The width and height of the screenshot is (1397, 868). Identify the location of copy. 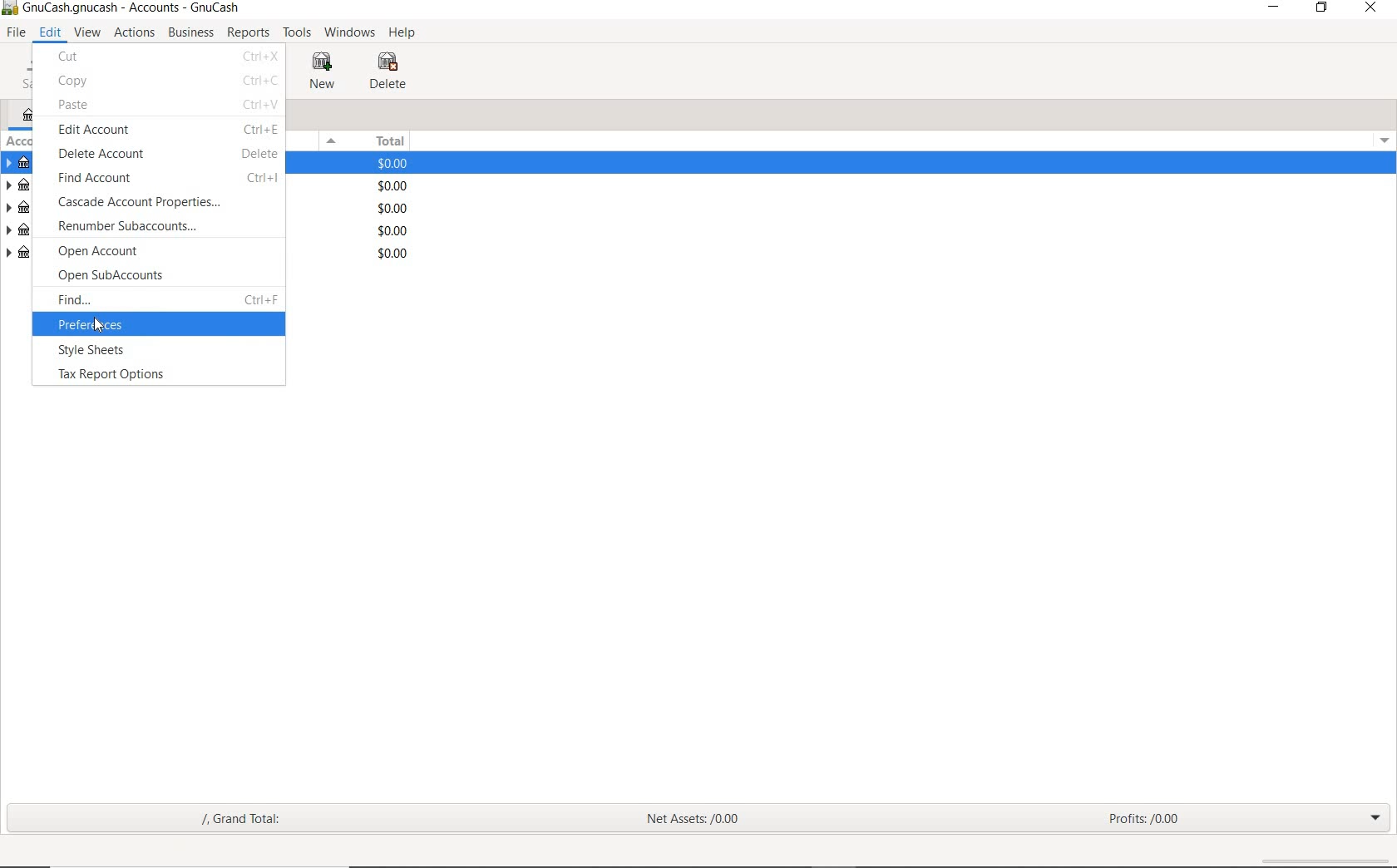
(77, 82).